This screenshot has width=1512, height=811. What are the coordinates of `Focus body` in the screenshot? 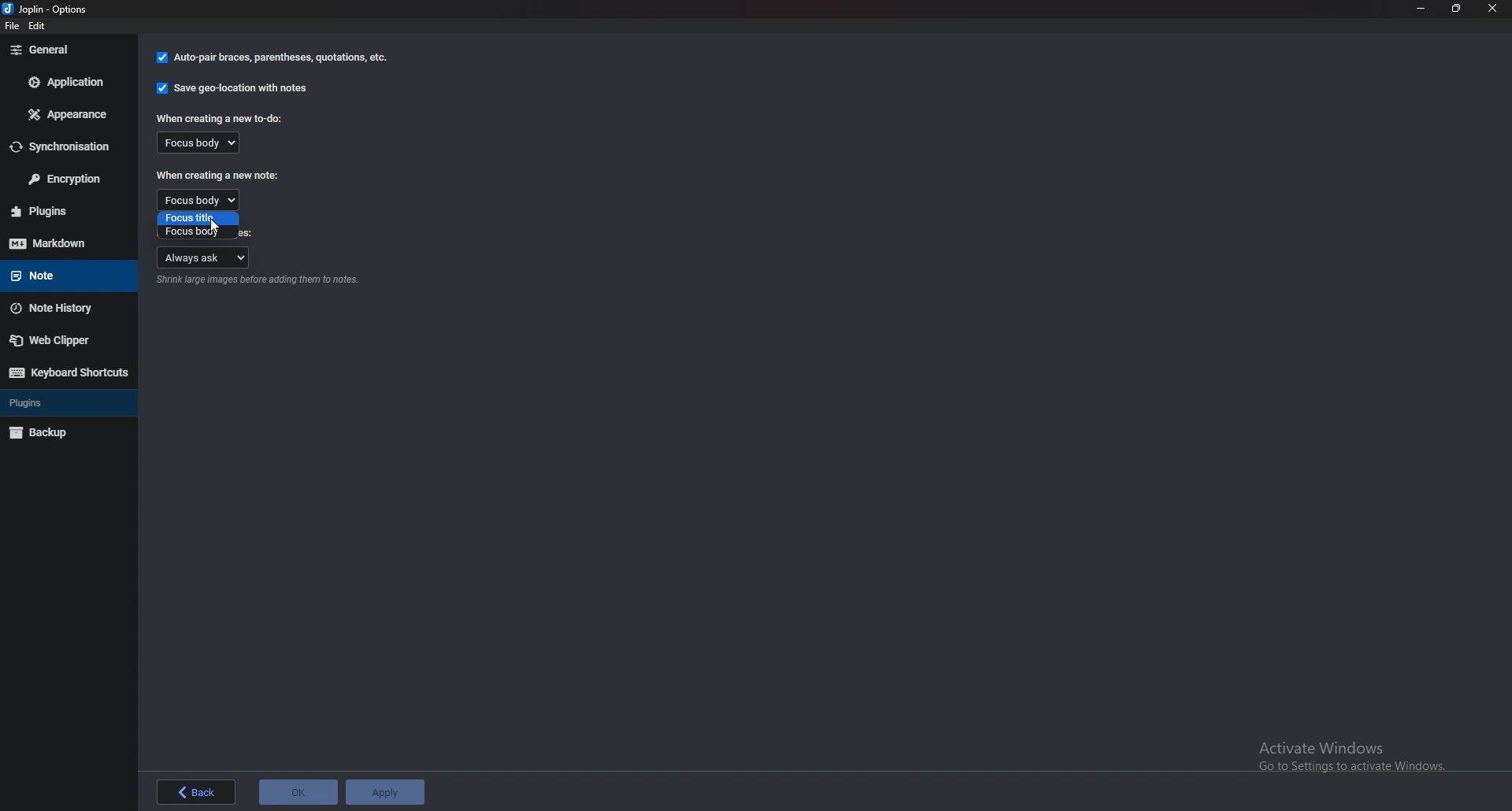 It's located at (195, 231).